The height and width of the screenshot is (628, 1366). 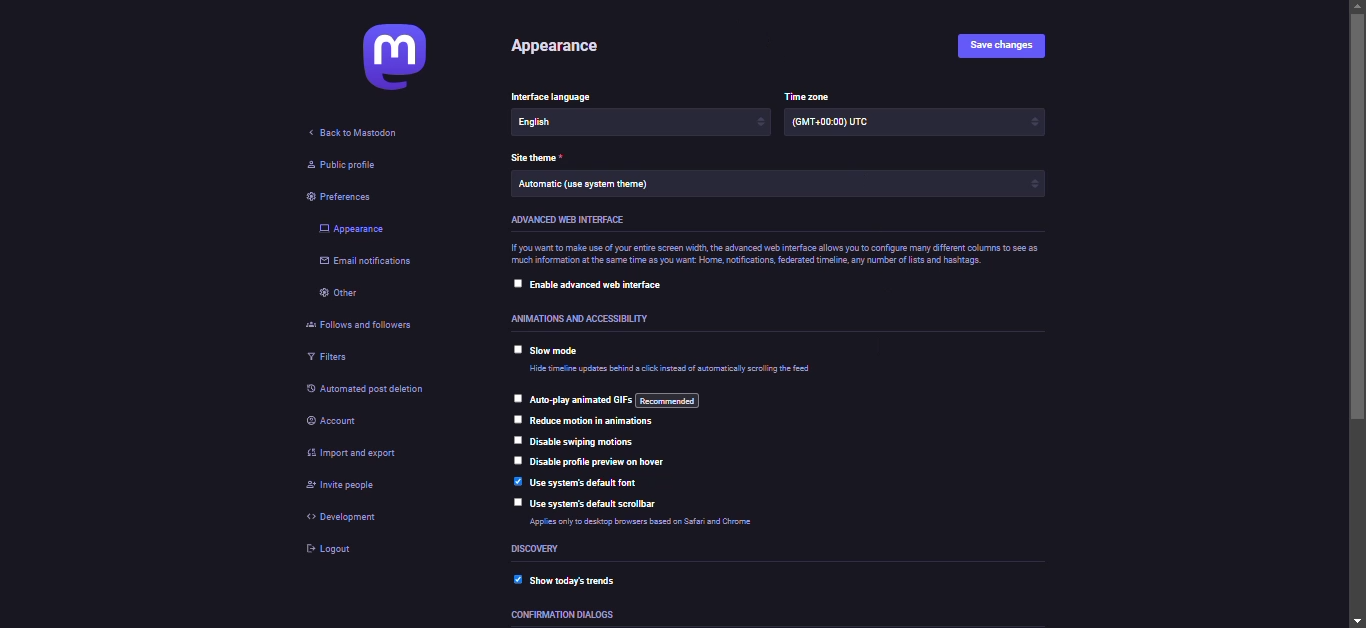 What do you see at coordinates (377, 388) in the screenshot?
I see `automated post deletion` at bounding box center [377, 388].